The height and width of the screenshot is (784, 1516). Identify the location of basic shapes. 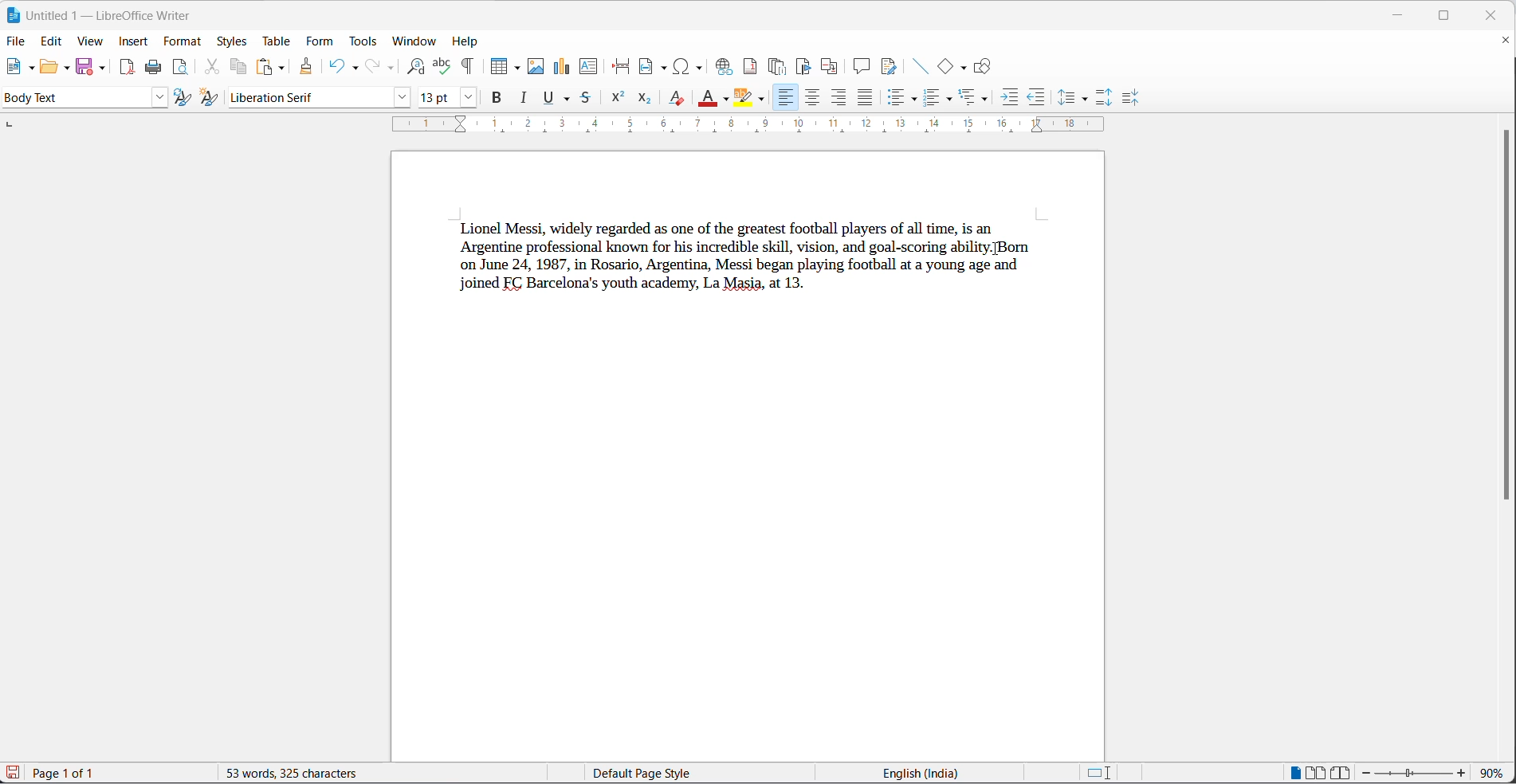
(967, 68).